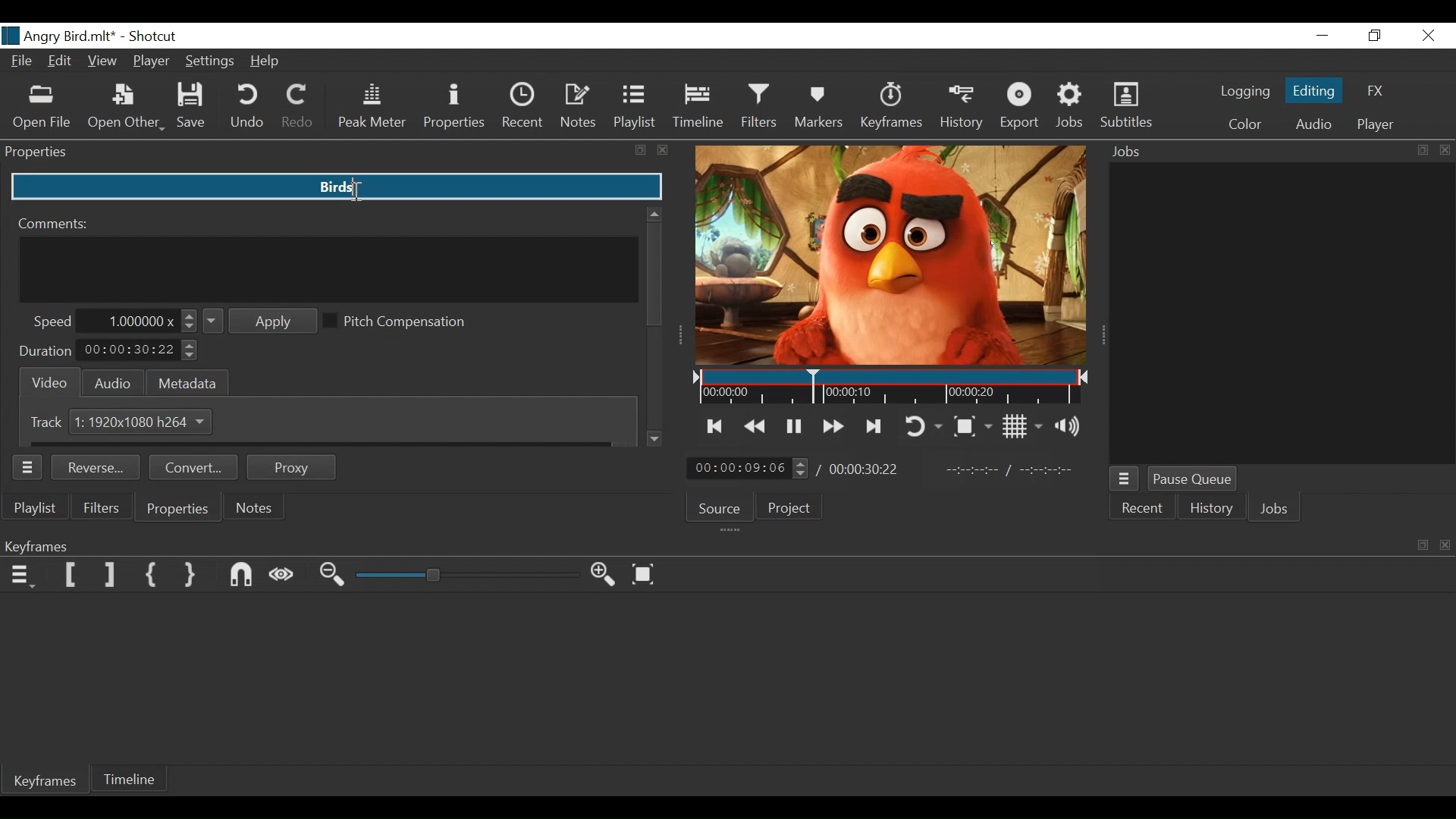 The width and height of the screenshot is (1456, 819). Describe the element at coordinates (49, 422) in the screenshot. I see `Track` at that location.